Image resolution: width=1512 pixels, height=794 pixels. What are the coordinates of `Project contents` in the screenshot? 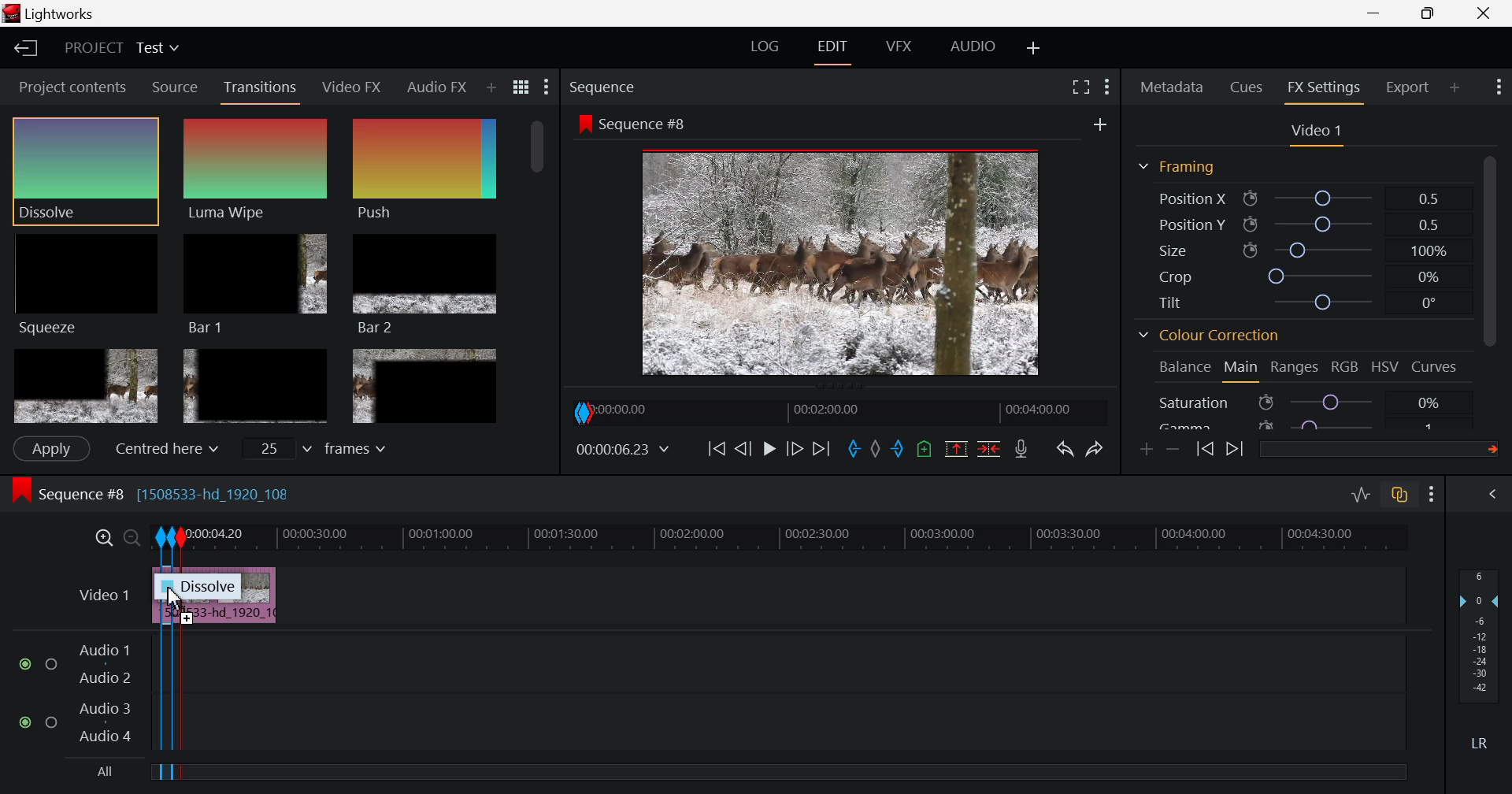 It's located at (67, 87).